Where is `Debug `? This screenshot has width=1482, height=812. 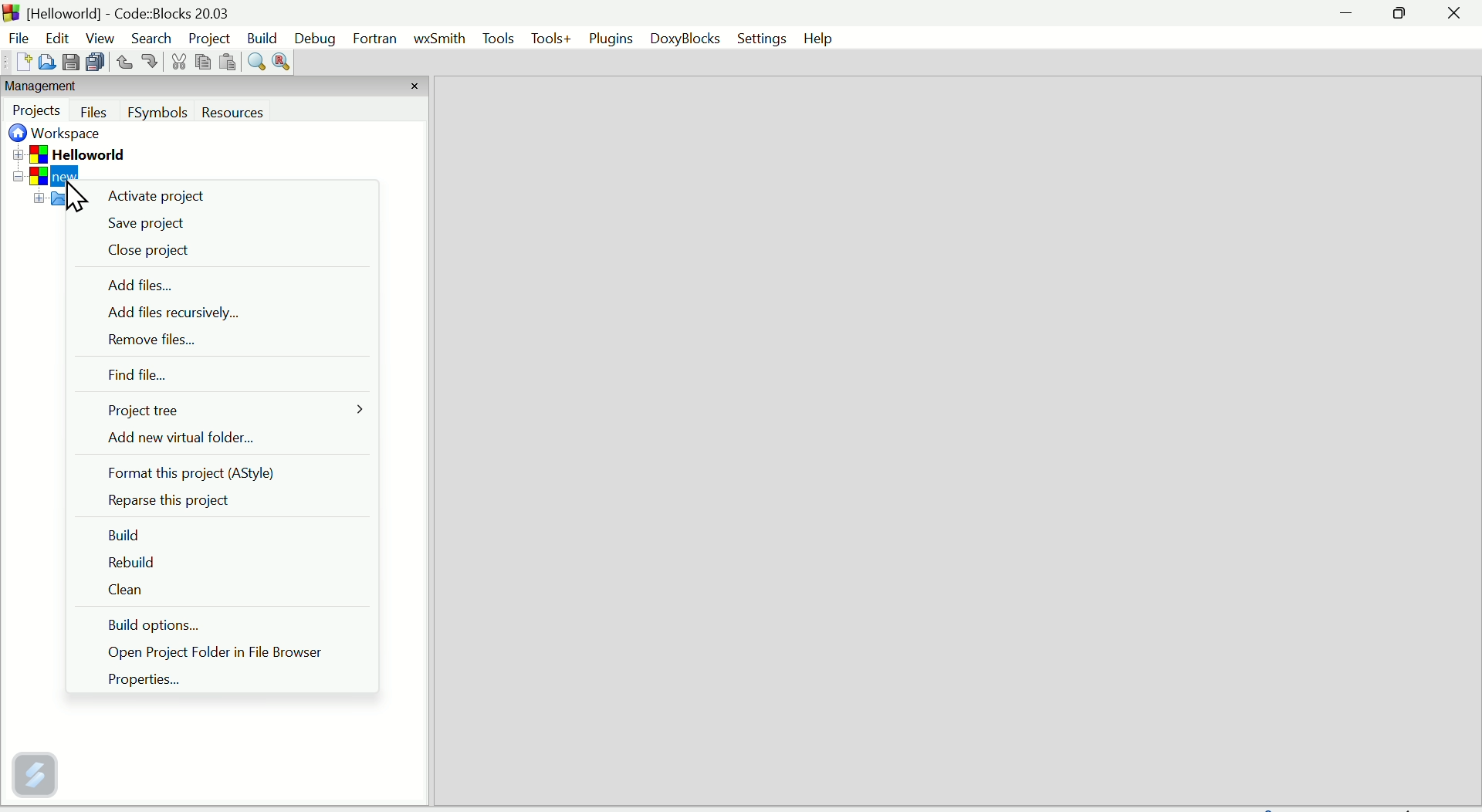 Debug  is located at coordinates (315, 37).